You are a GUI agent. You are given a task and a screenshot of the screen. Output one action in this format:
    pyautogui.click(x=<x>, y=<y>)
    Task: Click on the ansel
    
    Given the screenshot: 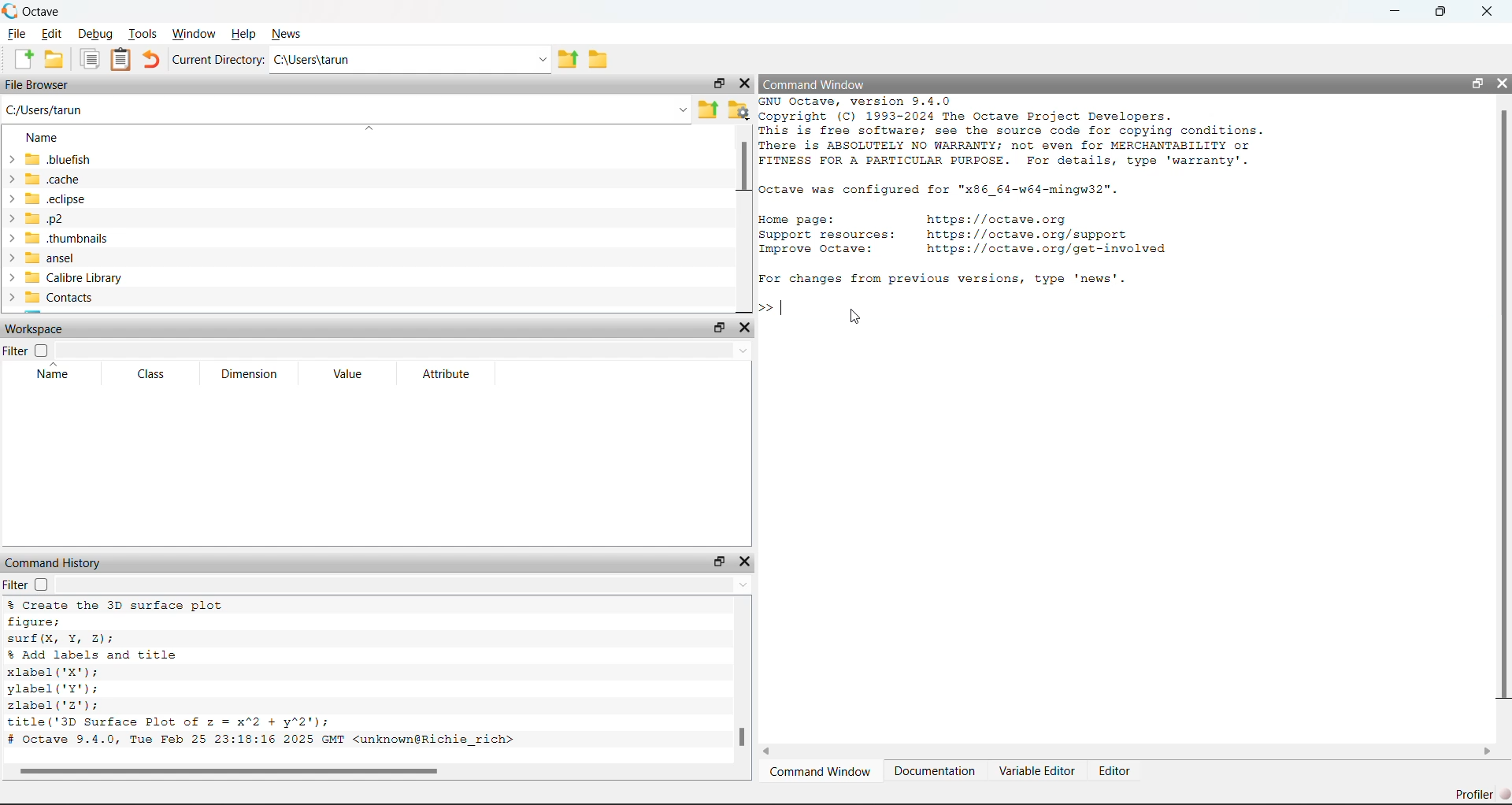 What is the action you would take?
    pyautogui.click(x=47, y=258)
    